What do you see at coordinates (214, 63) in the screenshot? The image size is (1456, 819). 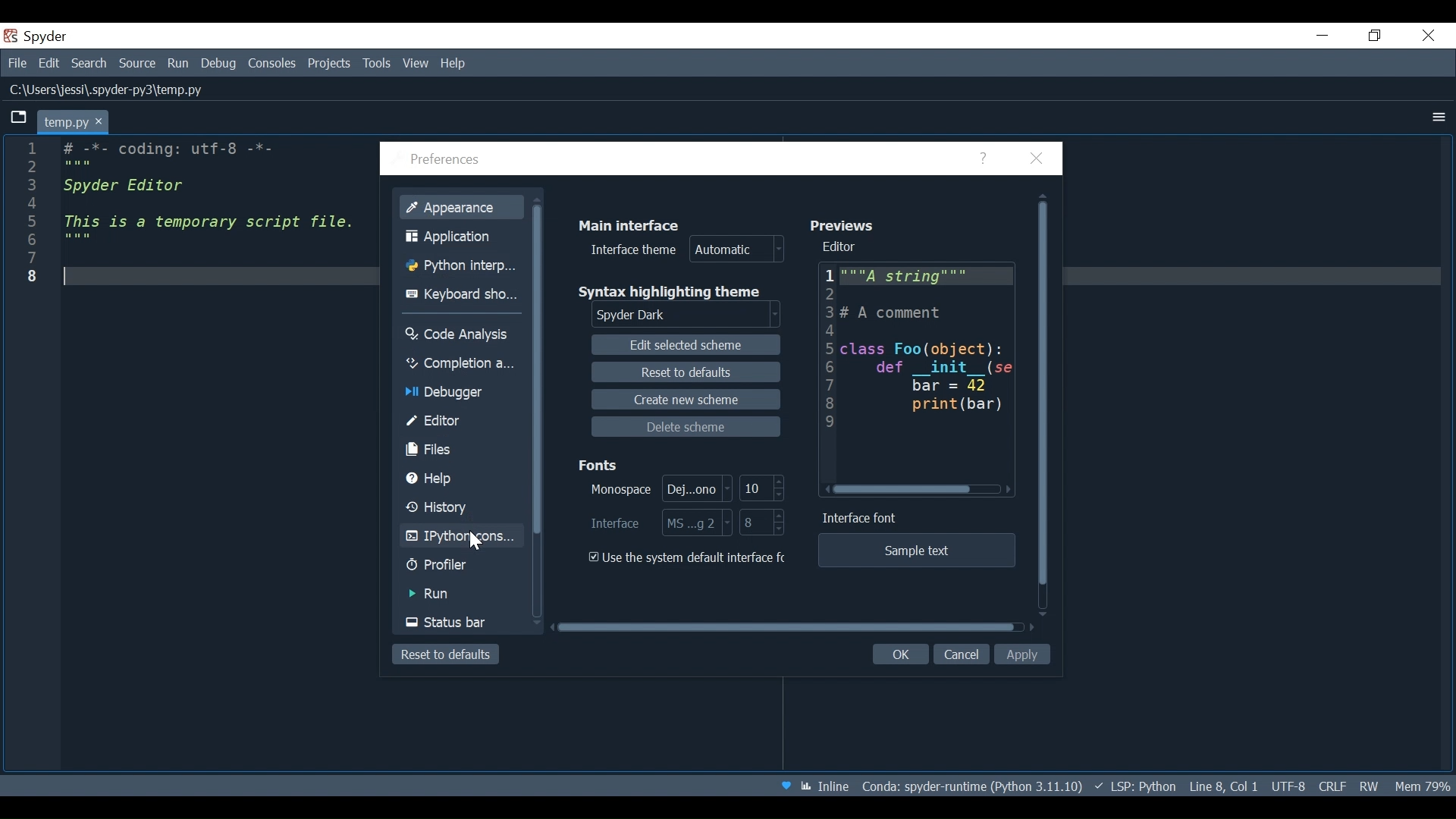 I see `Debug` at bounding box center [214, 63].